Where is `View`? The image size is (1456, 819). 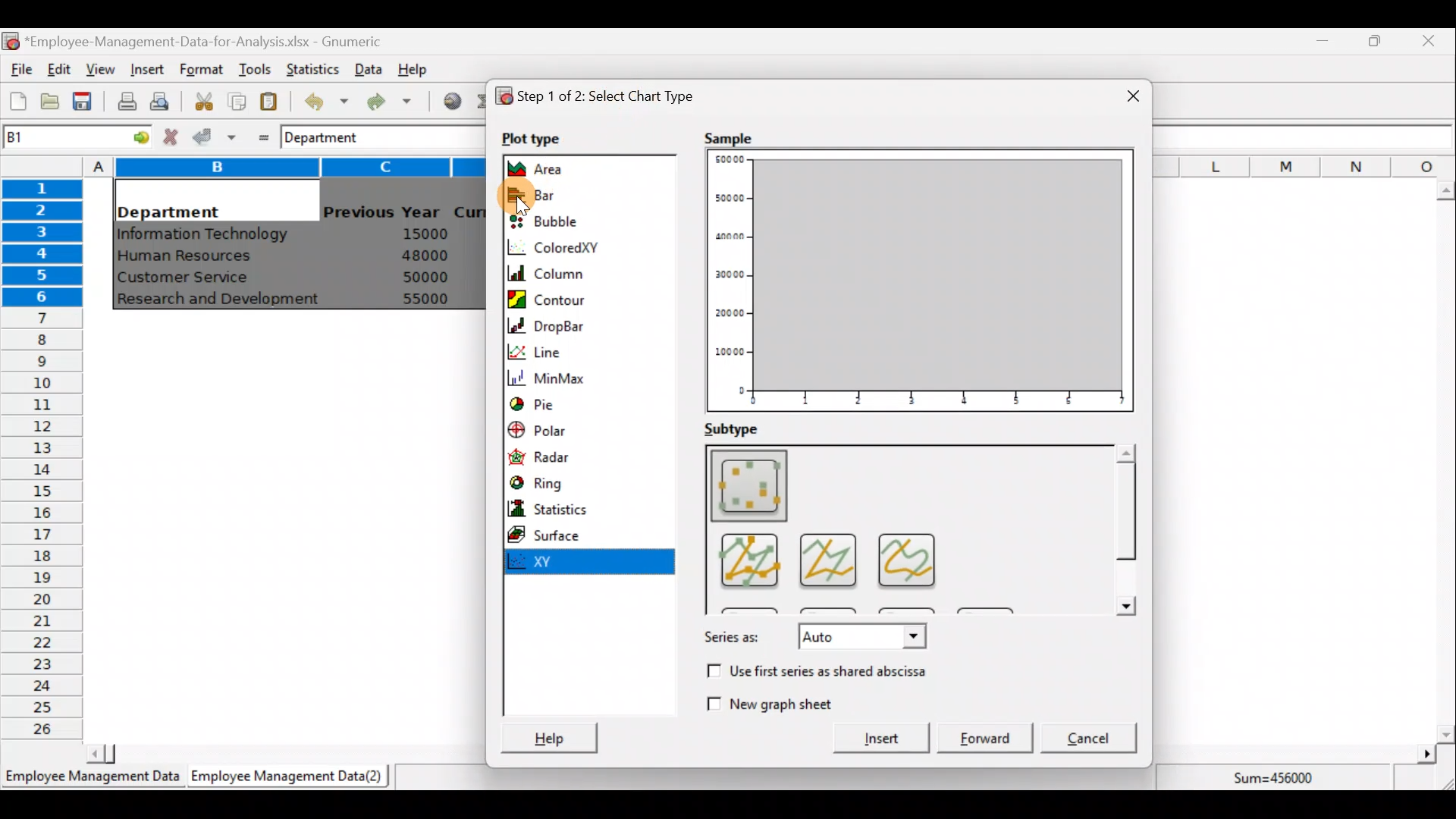 View is located at coordinates (99, 70).